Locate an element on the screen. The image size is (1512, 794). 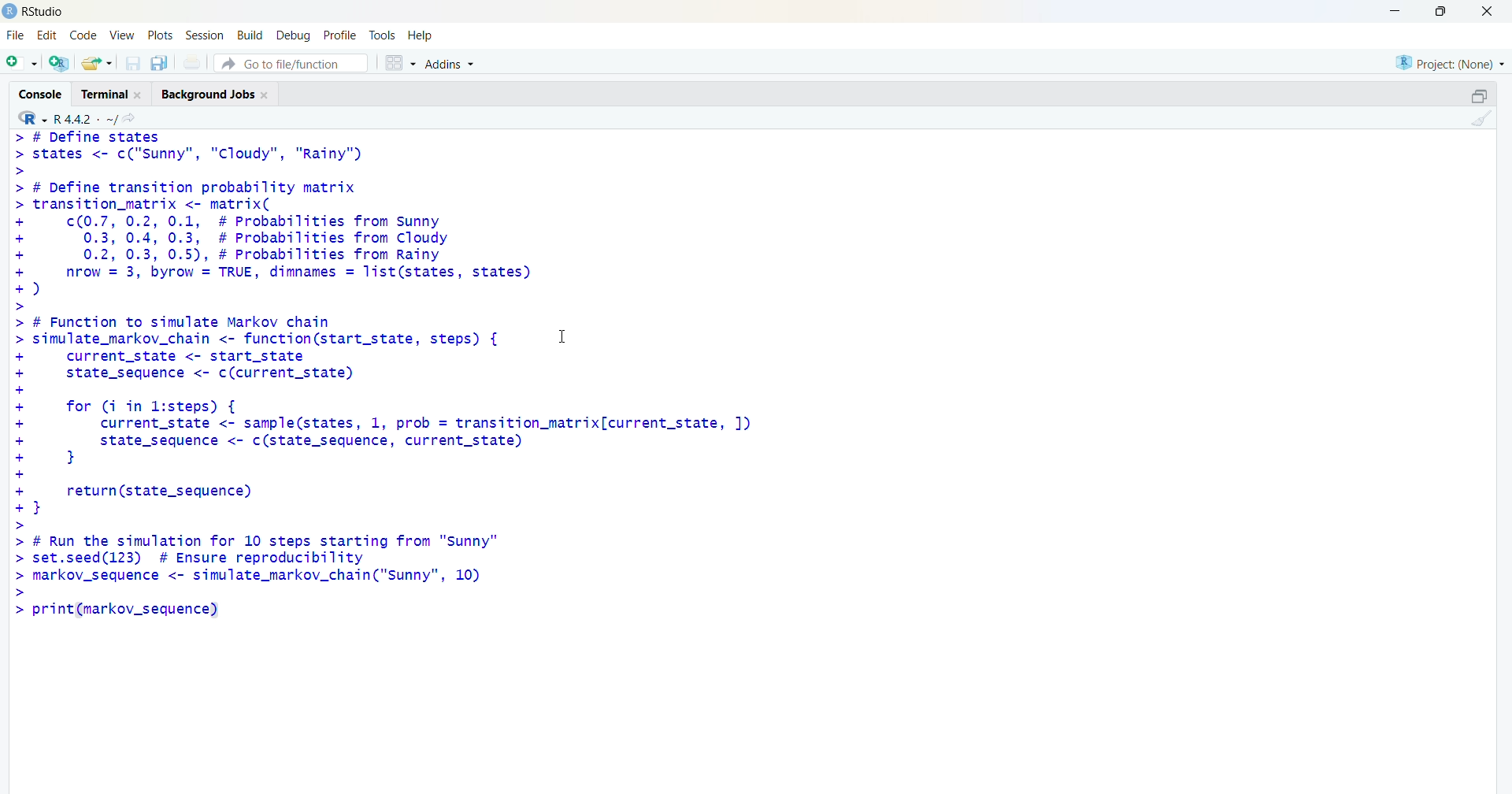
build is located at coordinates (250, 35).